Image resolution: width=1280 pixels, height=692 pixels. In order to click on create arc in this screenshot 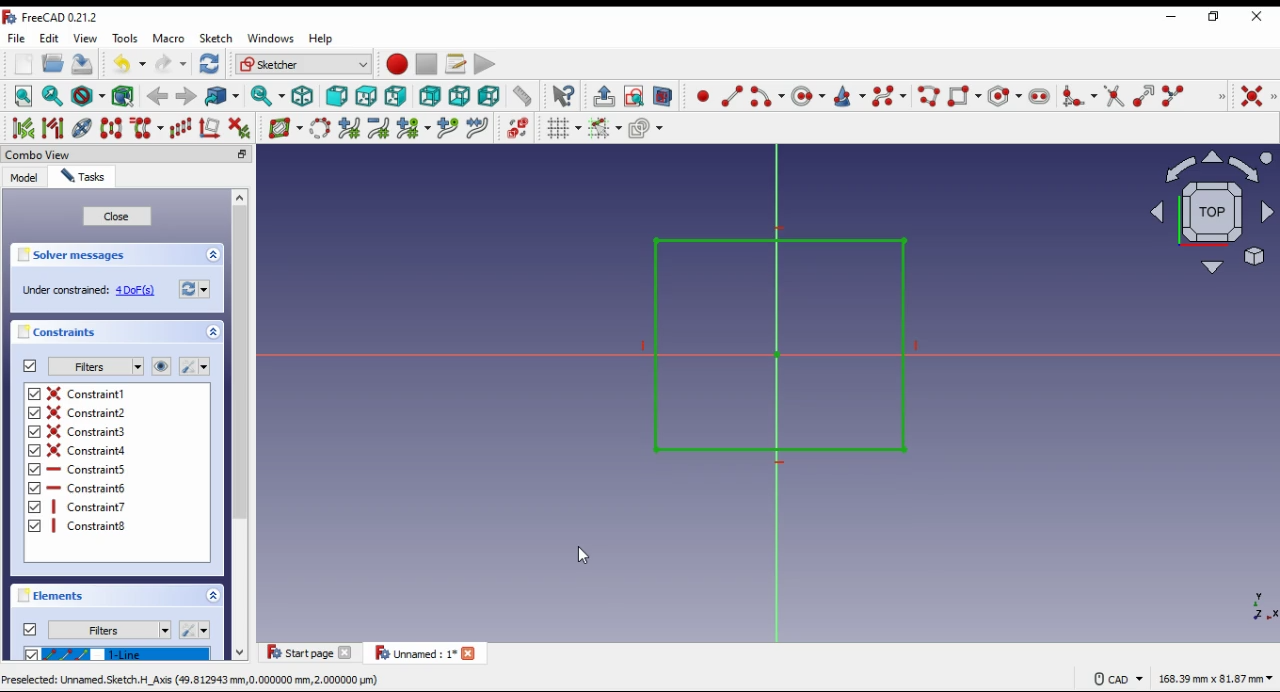, I will do `click(767, 96)`.